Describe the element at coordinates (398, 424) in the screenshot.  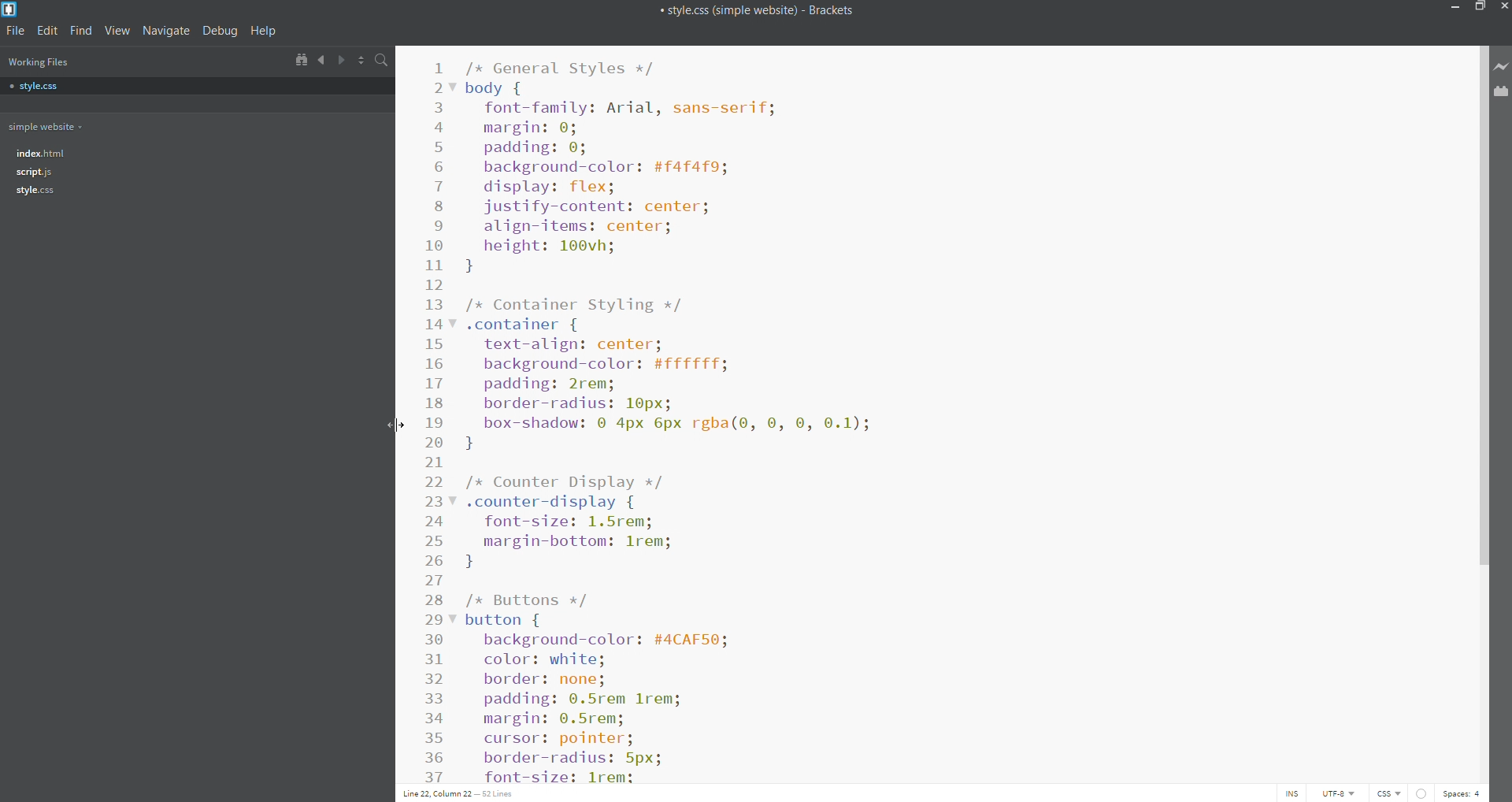
I see `cursor` at that location.